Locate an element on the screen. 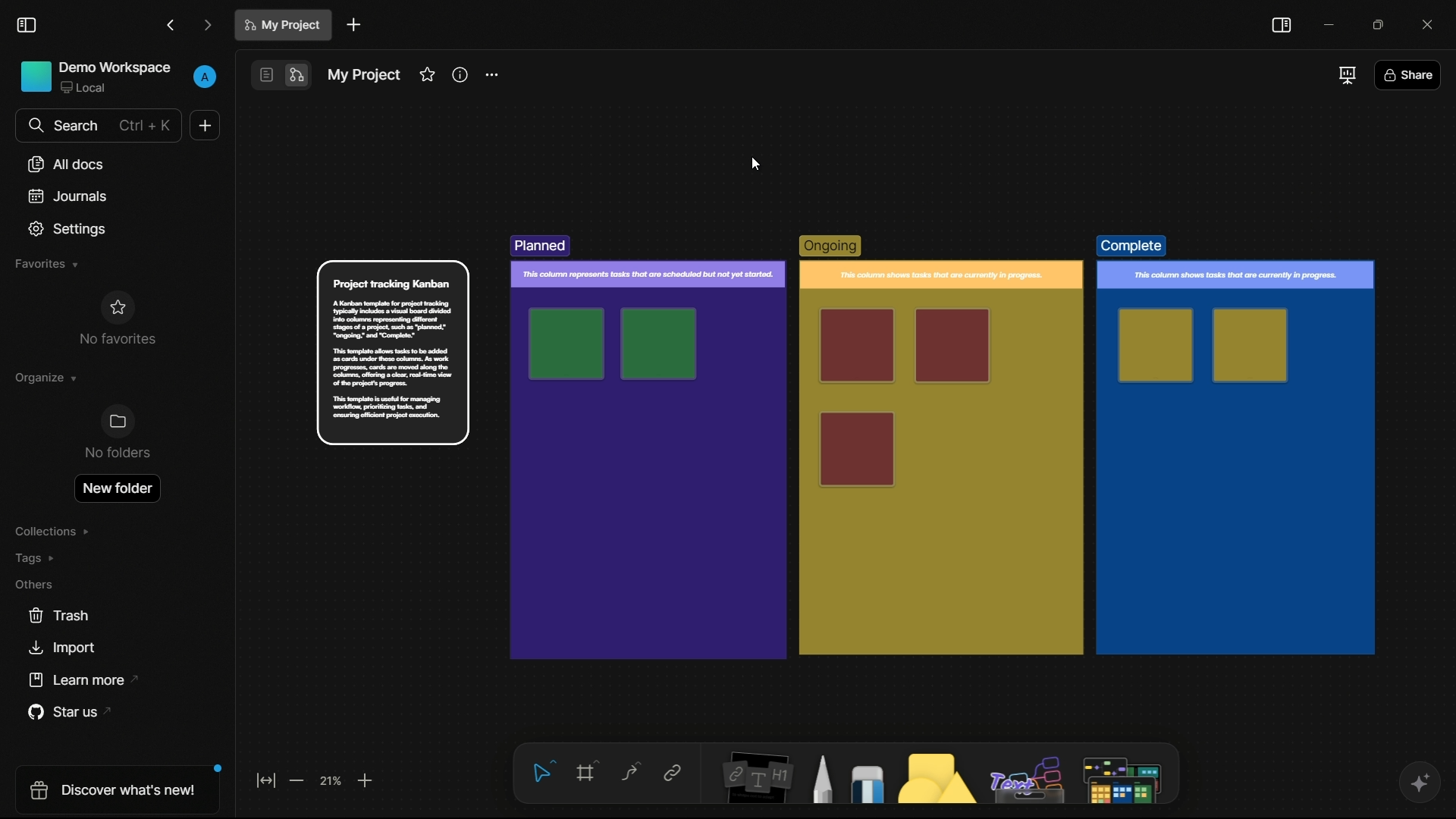 This screenshot has height=819, width=1456. search bar is located at coordinates (97, 125).